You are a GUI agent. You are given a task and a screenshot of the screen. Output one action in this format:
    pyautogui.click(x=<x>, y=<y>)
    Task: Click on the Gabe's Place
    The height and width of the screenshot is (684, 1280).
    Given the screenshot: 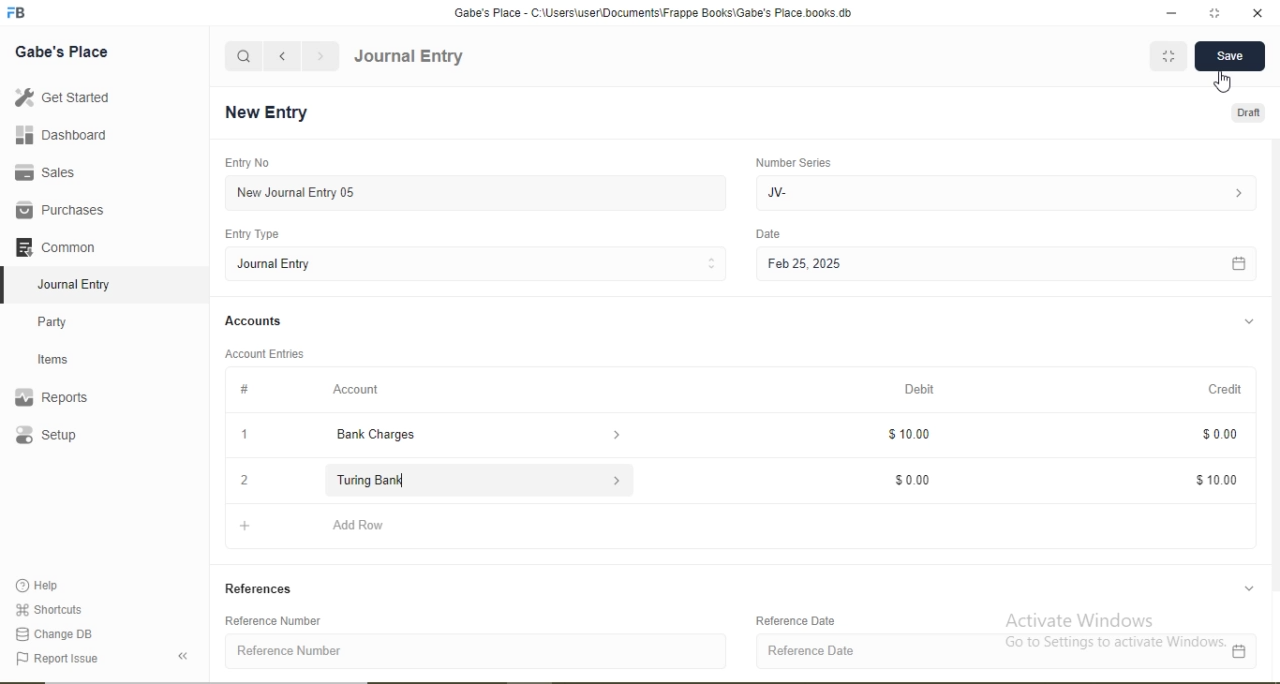 What is the action you would take?
    pyautogui.click(x=64, y=51)
    